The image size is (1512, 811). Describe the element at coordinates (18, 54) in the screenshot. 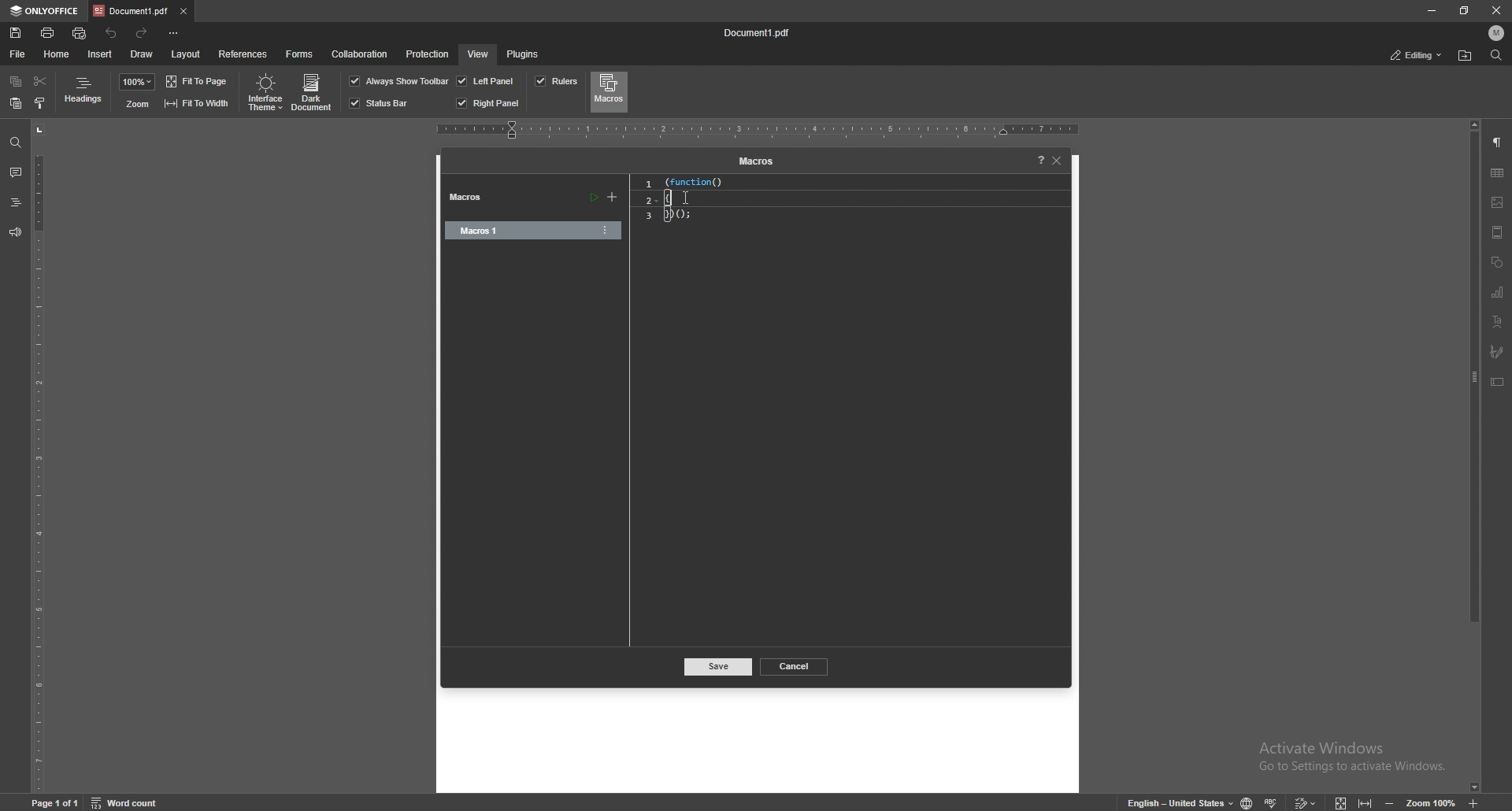

I see `file` at that location.